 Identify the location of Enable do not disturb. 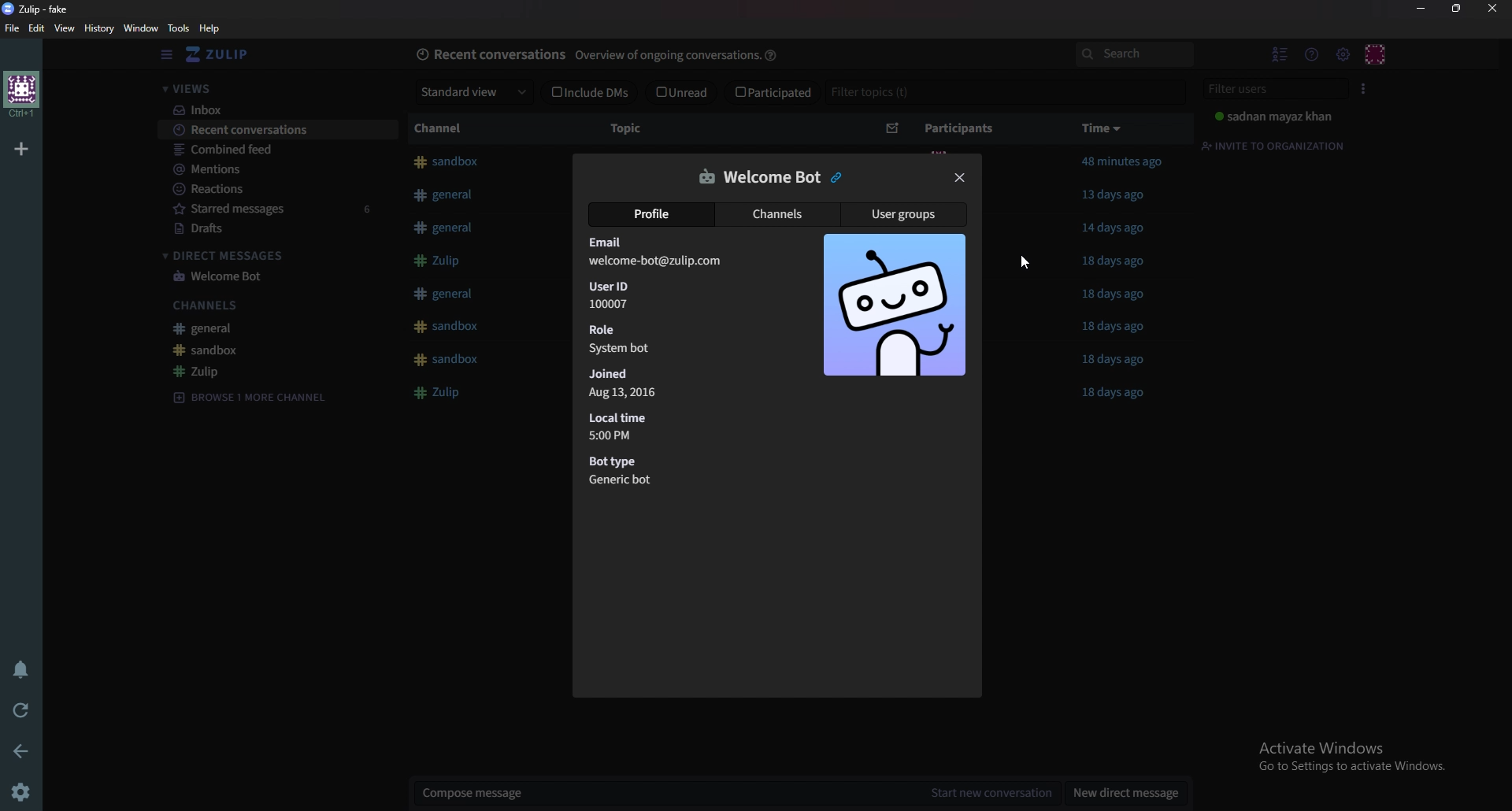
(22, 669).